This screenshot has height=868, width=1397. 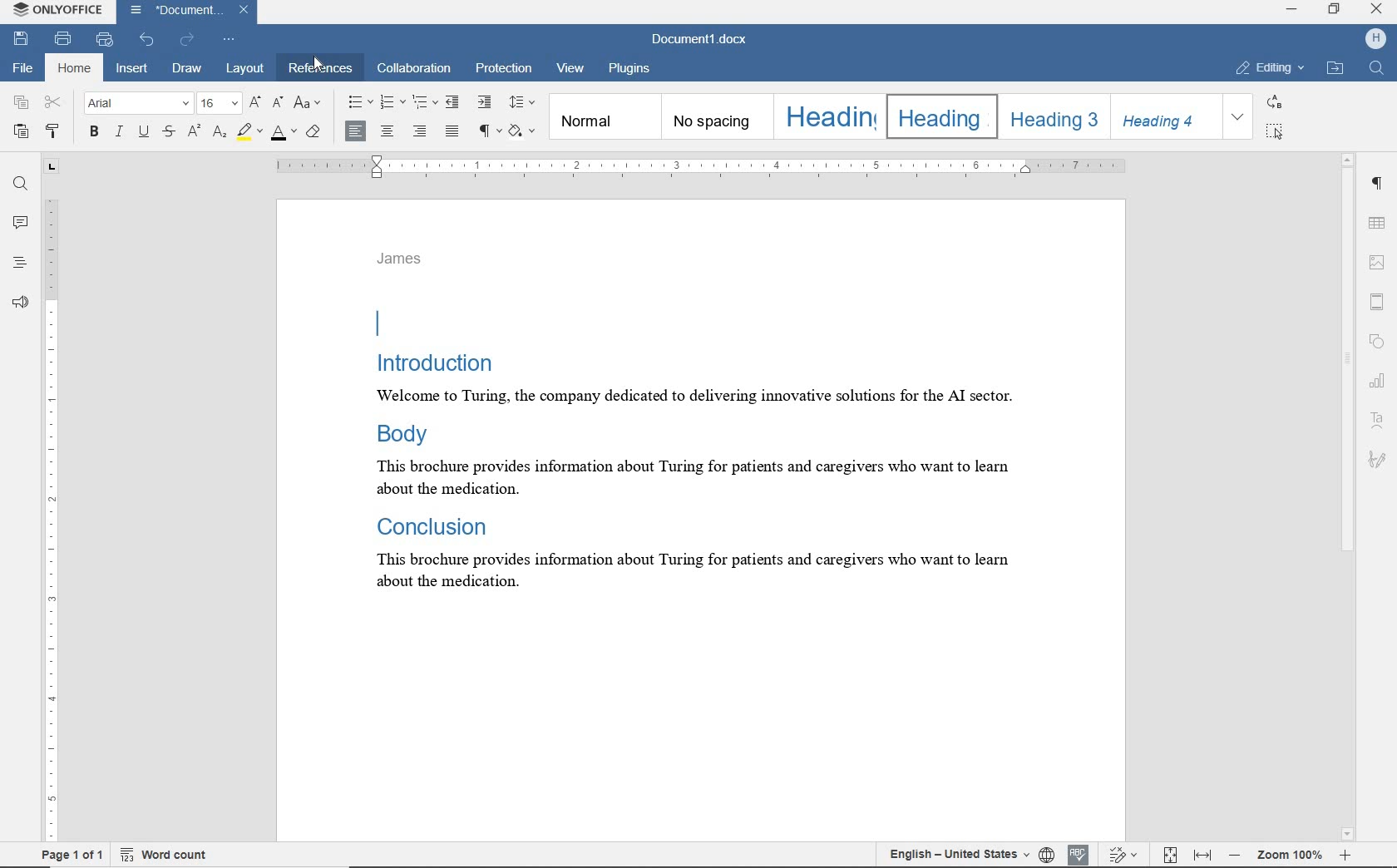 I want to click on font , so click(x=139, y=104).